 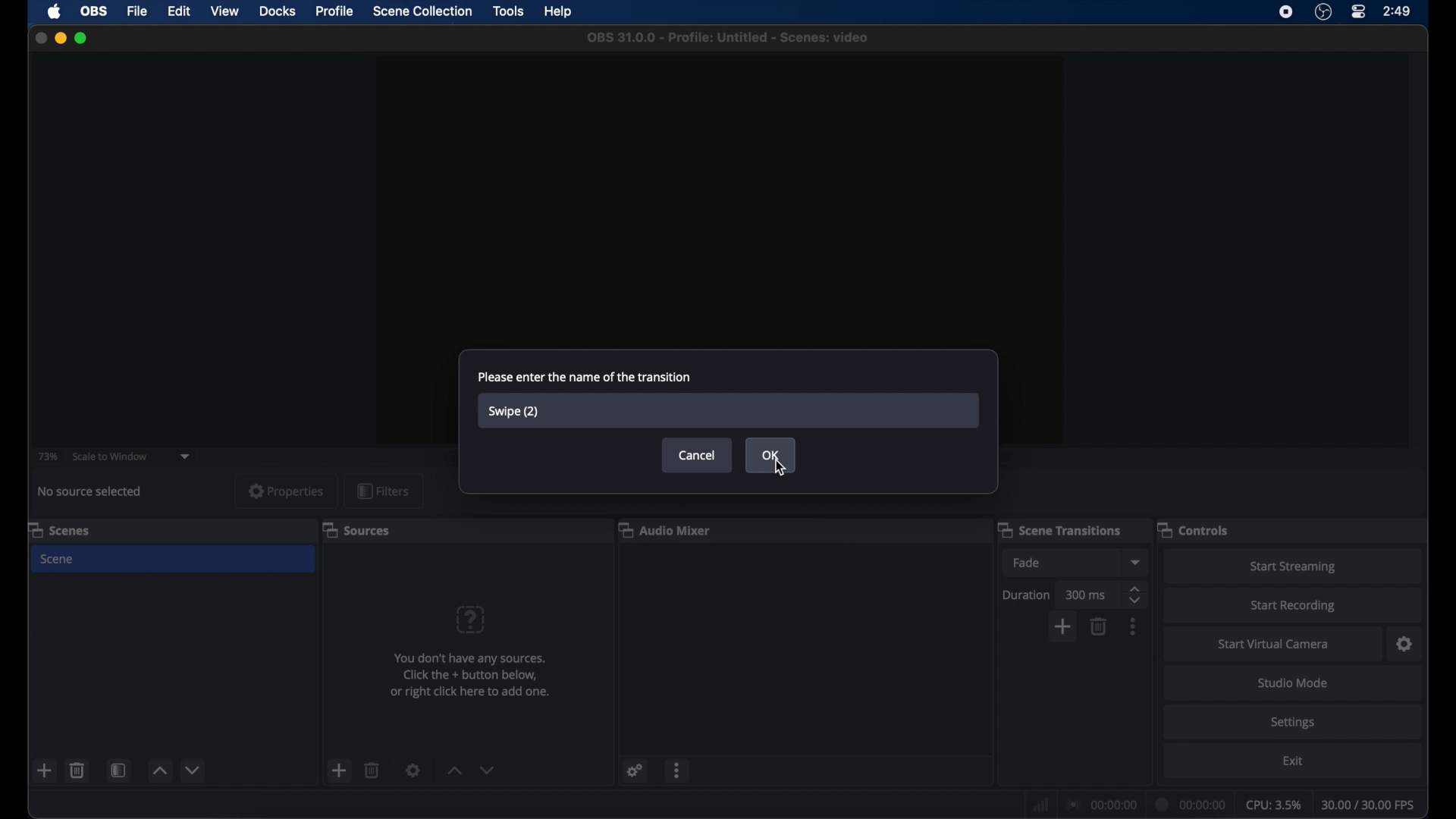 What do you see at coordinates (1027, 595) in the screenshot?
I see `duration` at bounding box center [1027, 595].